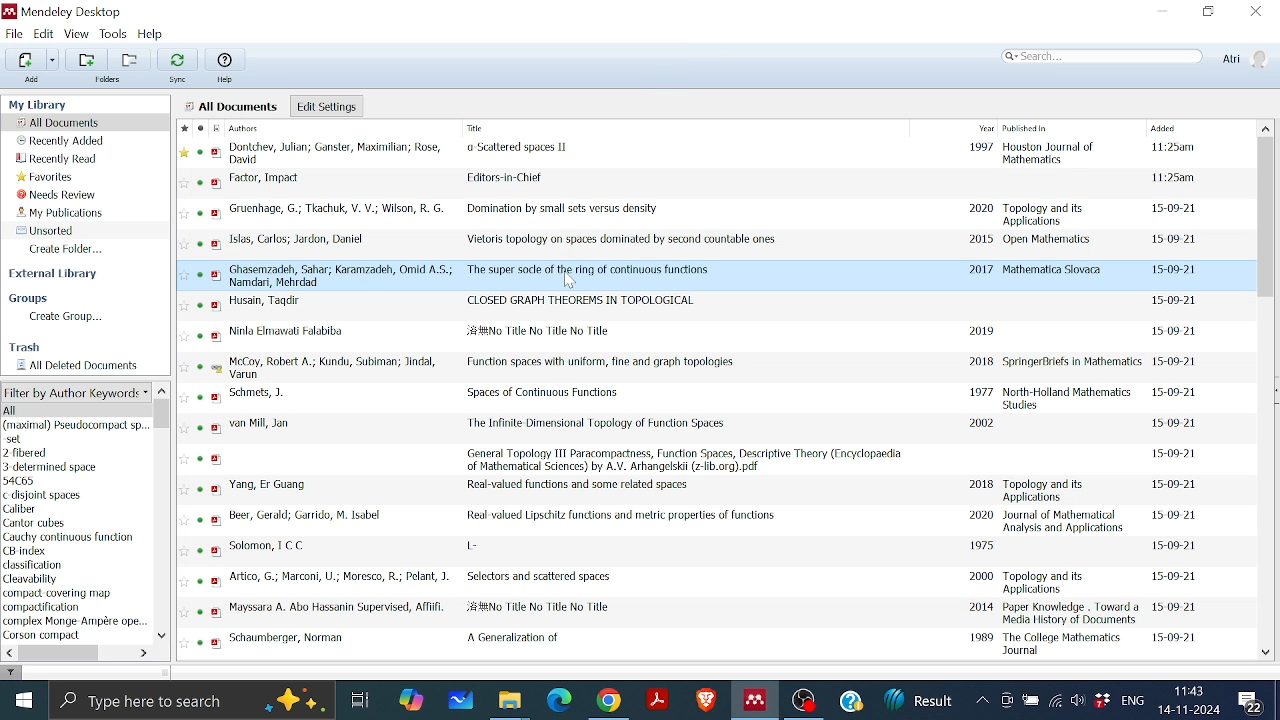  Describe the element at coordinates (22, 481) in the screenshot. I see `54C65` at that location.